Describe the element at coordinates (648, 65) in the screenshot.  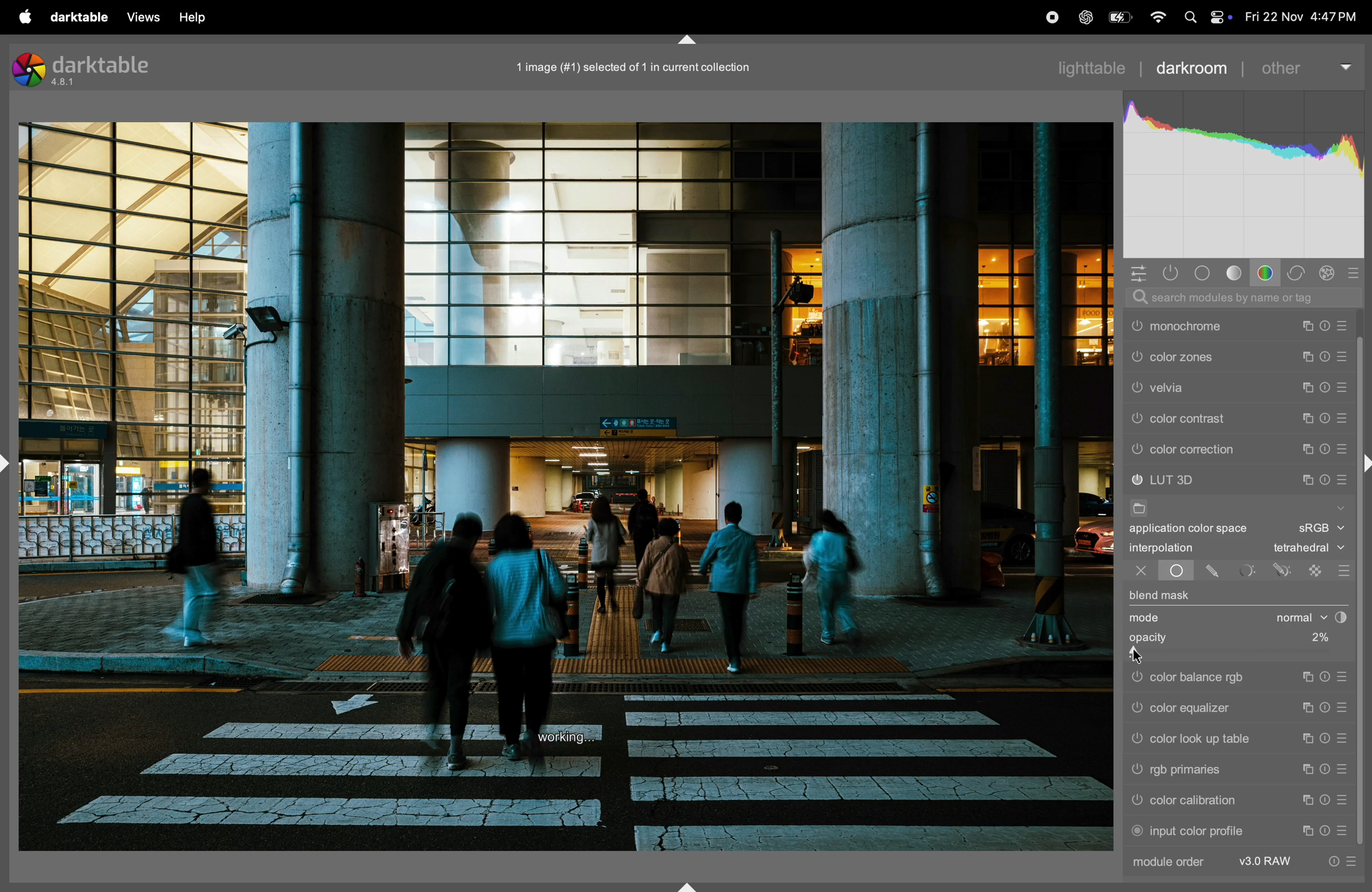
I see `image selected` at that location.